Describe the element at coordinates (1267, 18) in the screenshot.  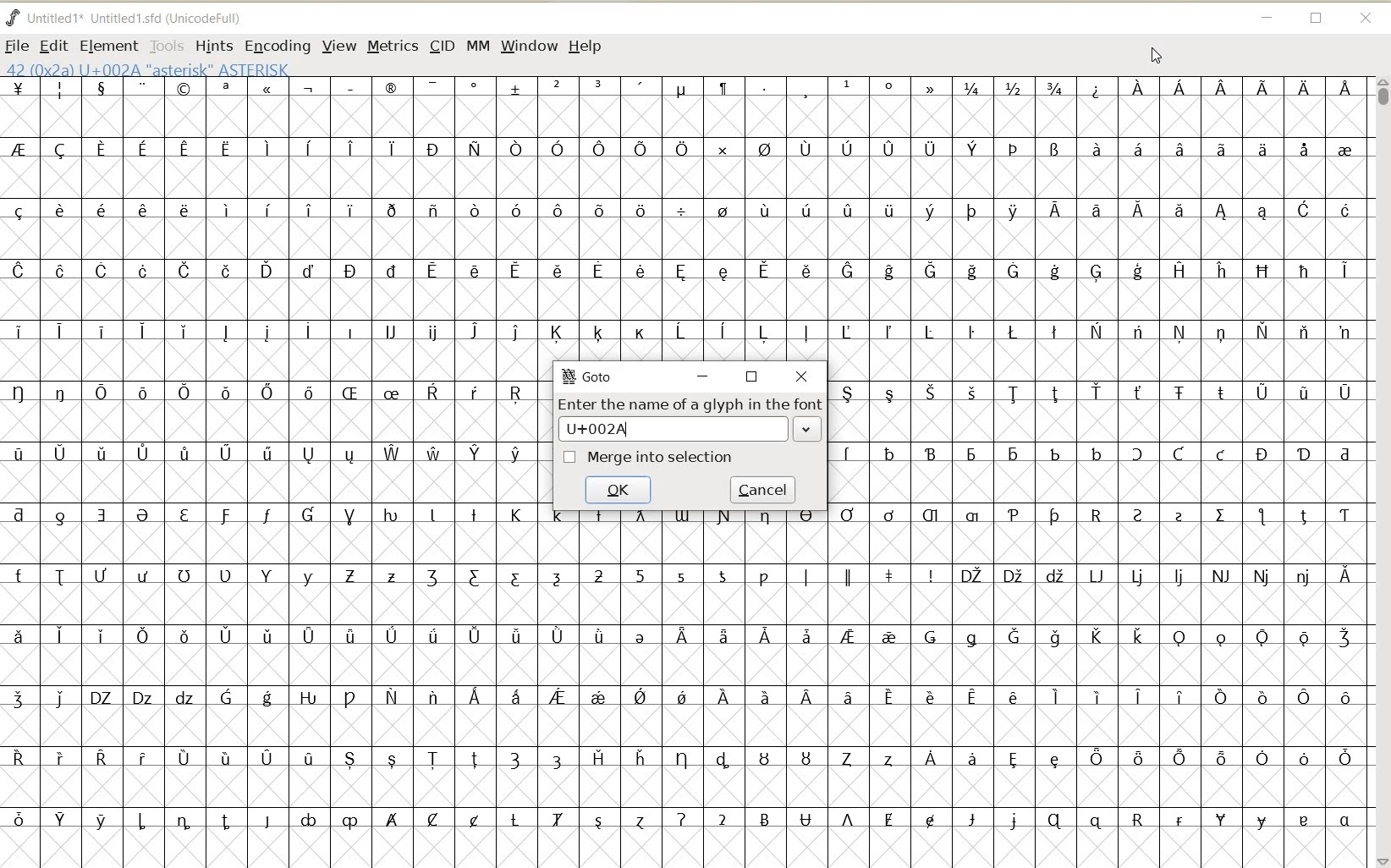
I see `MINIMIZE` at that location.